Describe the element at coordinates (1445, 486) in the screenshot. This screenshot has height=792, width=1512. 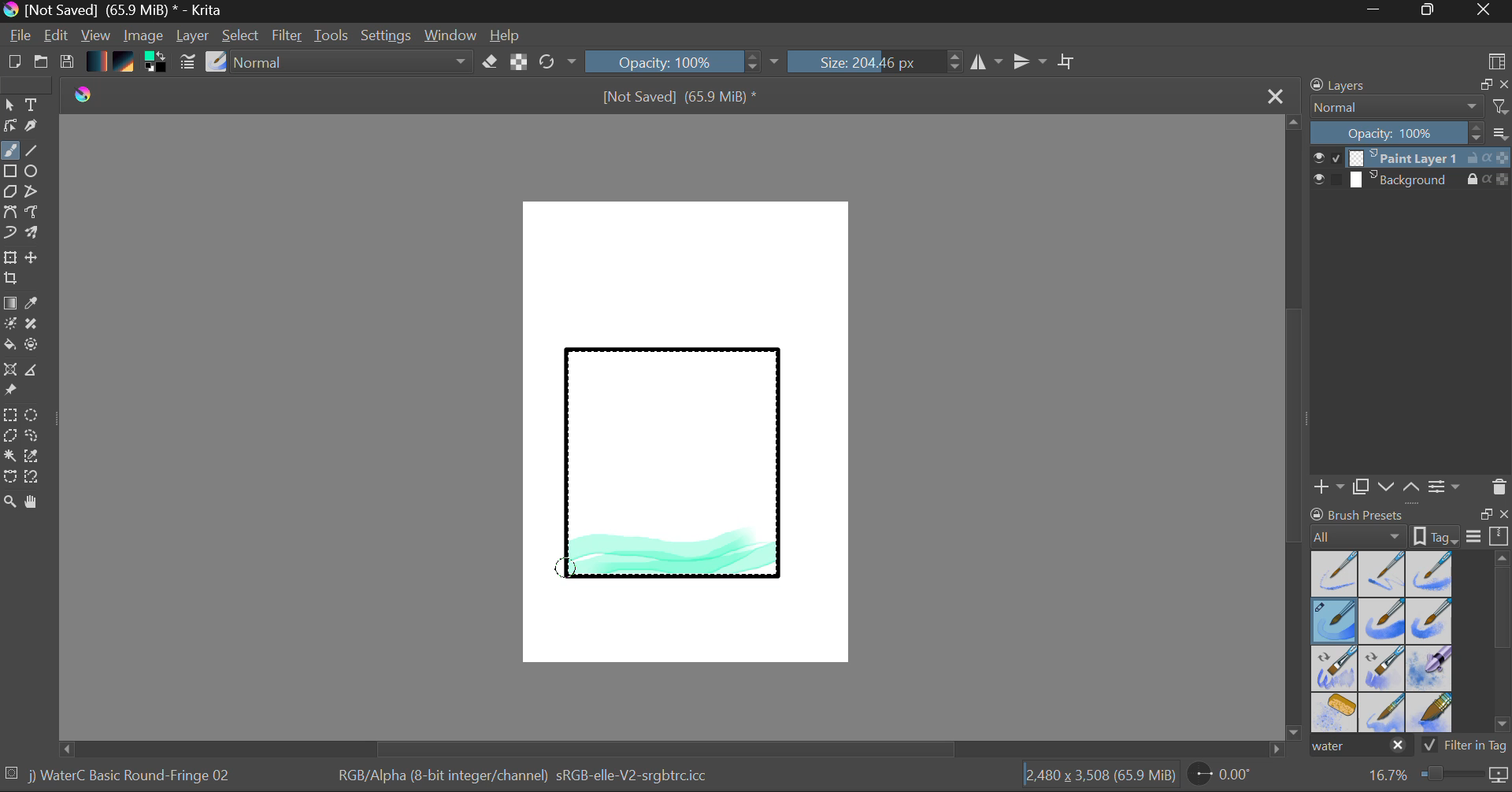
I see `Layer Settings` at that location.